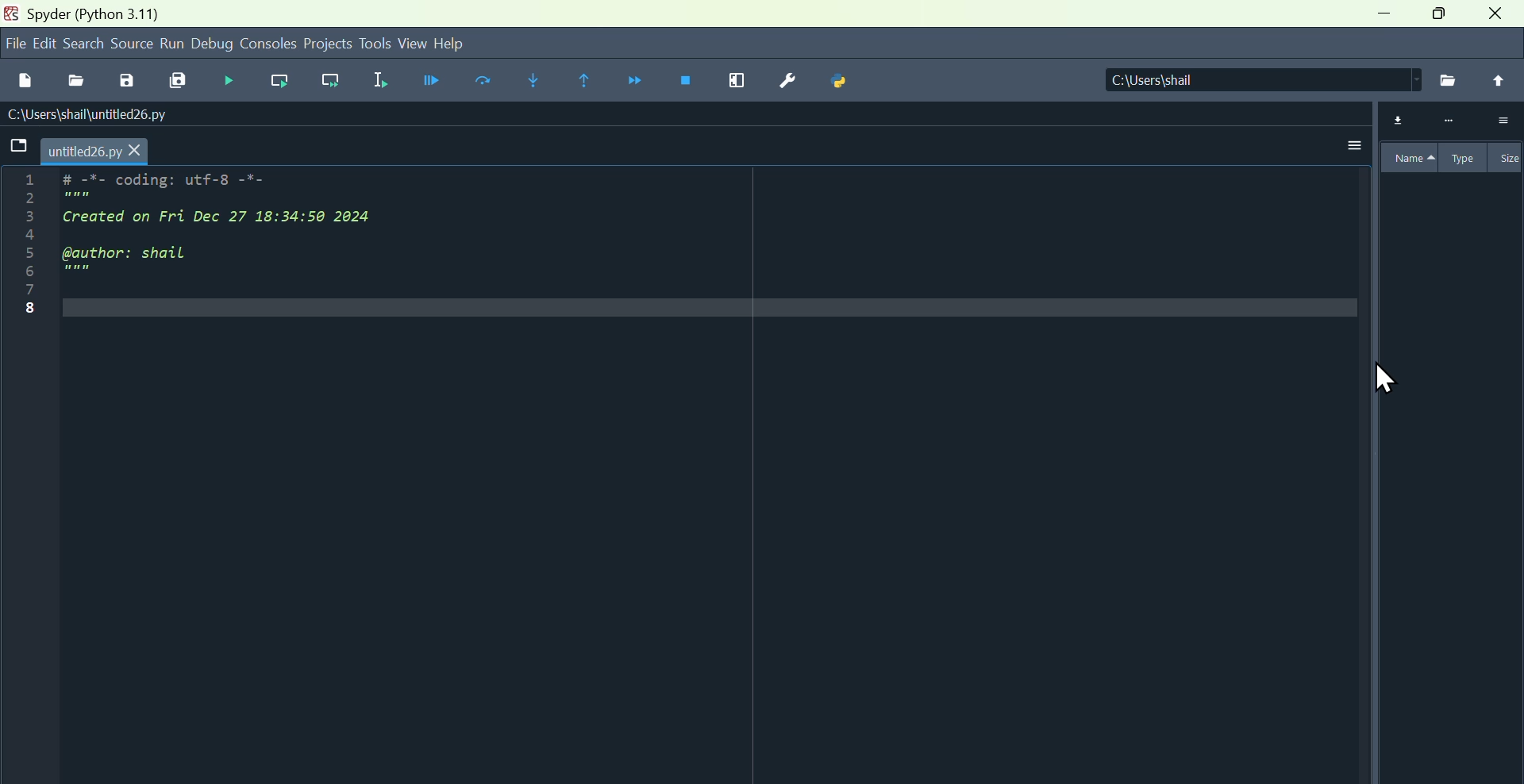  I want to click on view, so click(412, 44).